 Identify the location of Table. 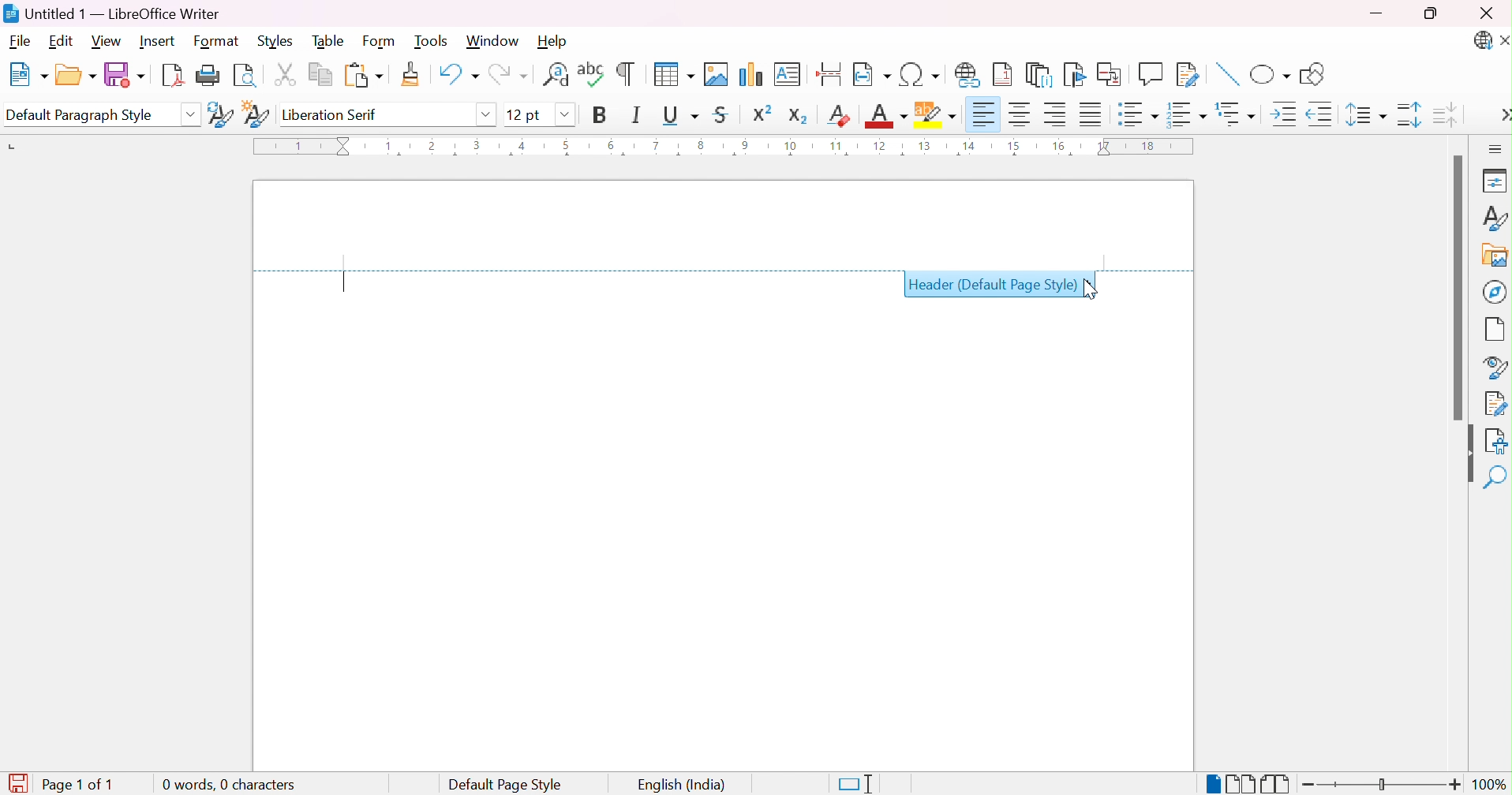
(331, 43).